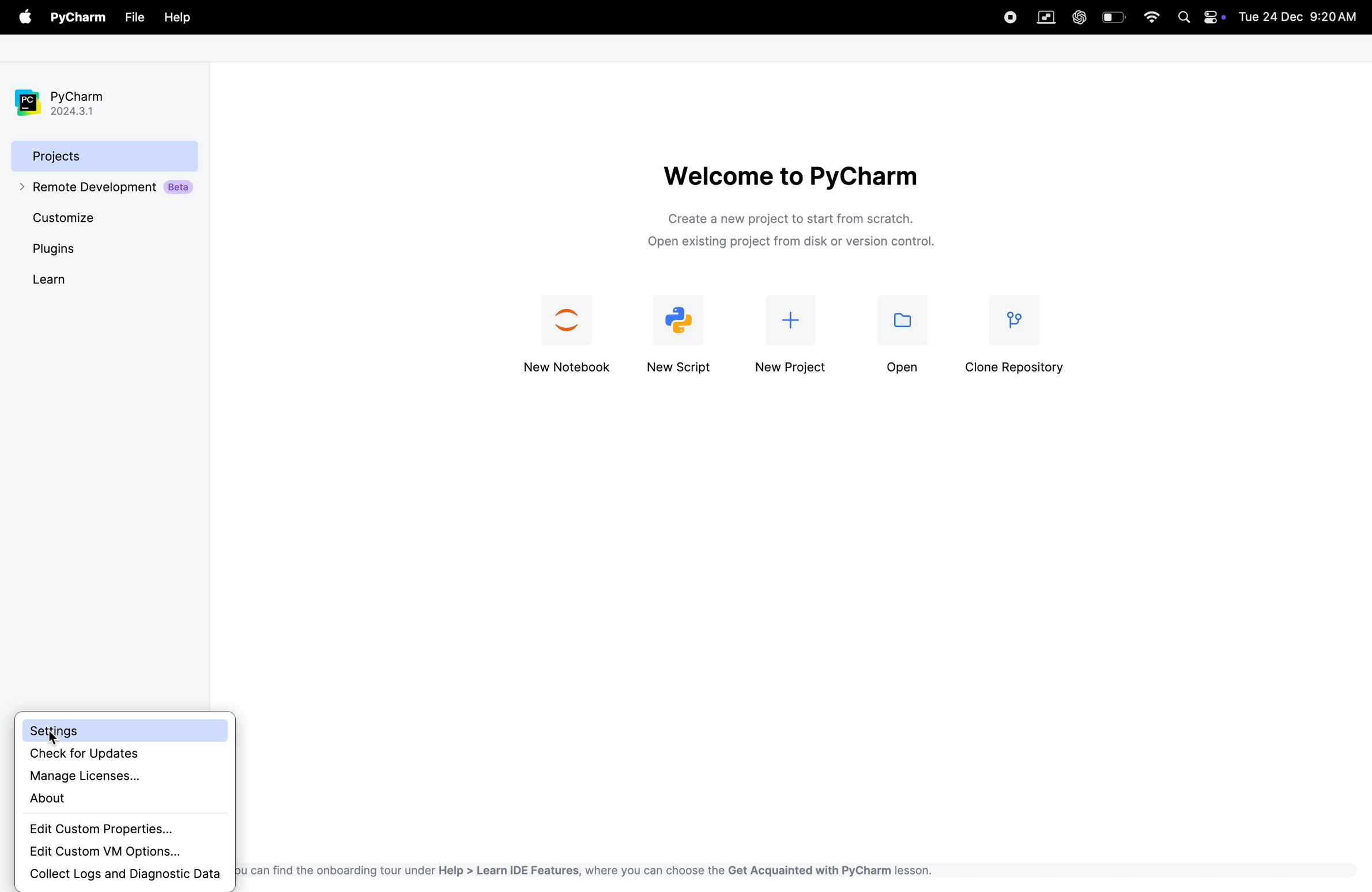 This screenshot has height=892, width=1372. Describe the element at coordinates (107, 852) in the screenshot. I see `edit custom vm options` at that location.